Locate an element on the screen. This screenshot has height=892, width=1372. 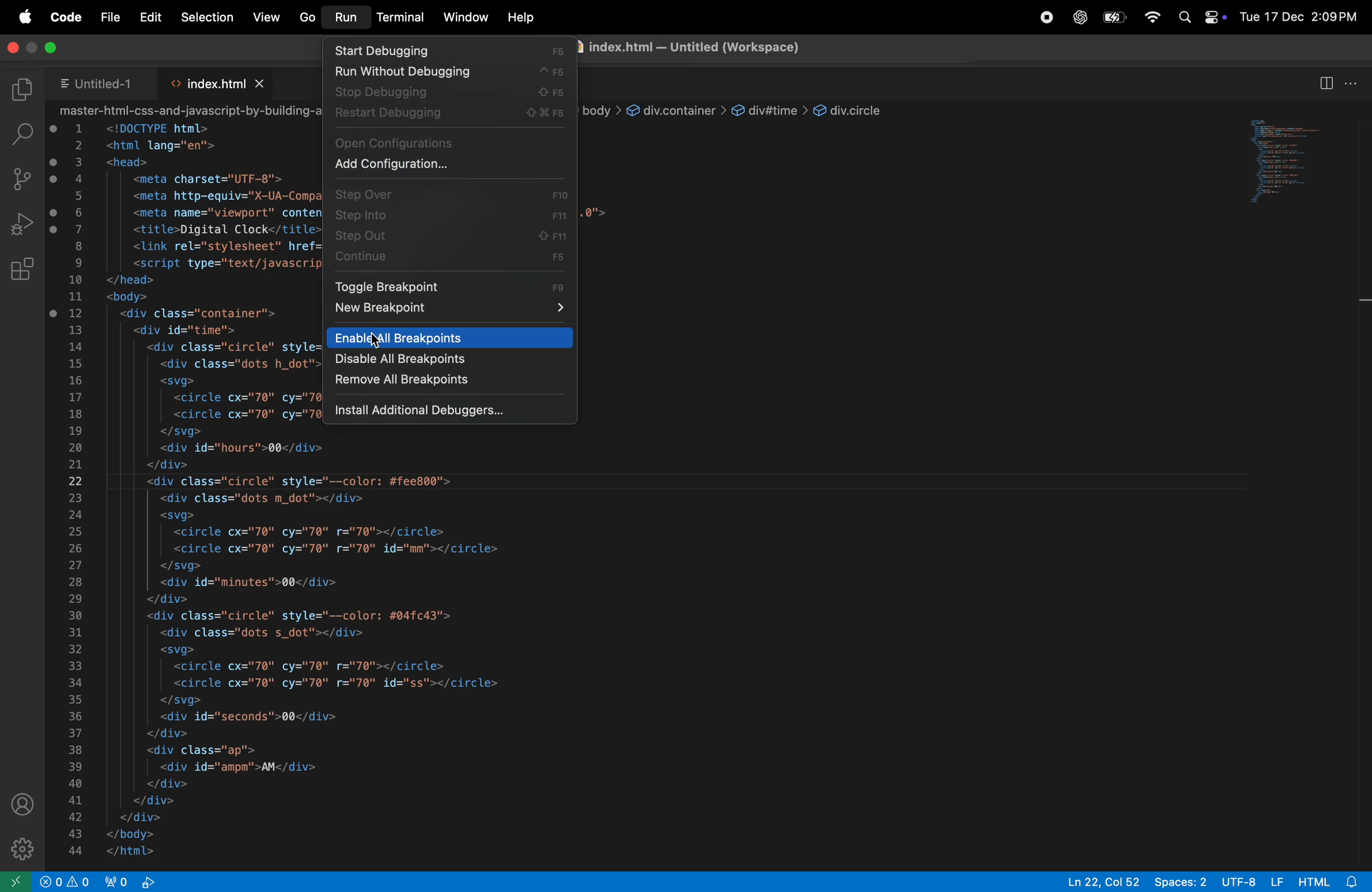
open window is located at coordinates (1283, 164).